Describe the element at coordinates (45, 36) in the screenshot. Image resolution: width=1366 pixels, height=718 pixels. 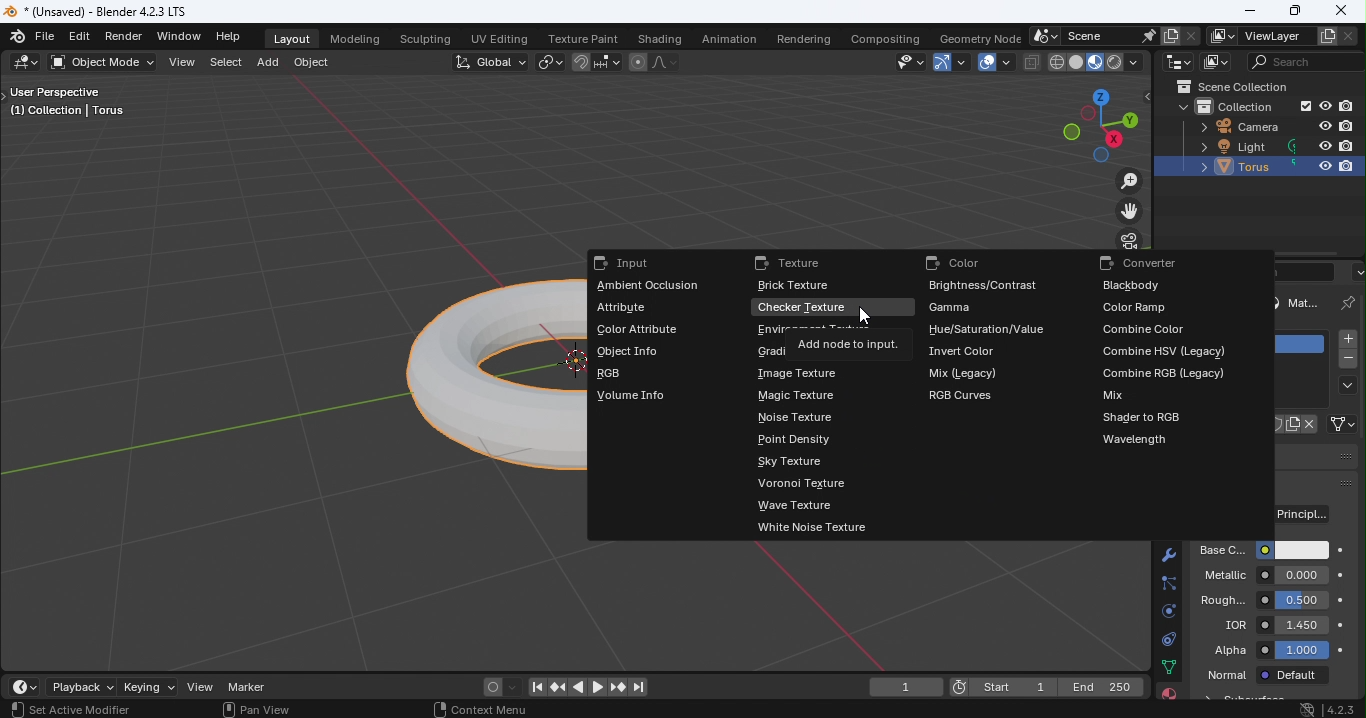
I see `File` at that location.